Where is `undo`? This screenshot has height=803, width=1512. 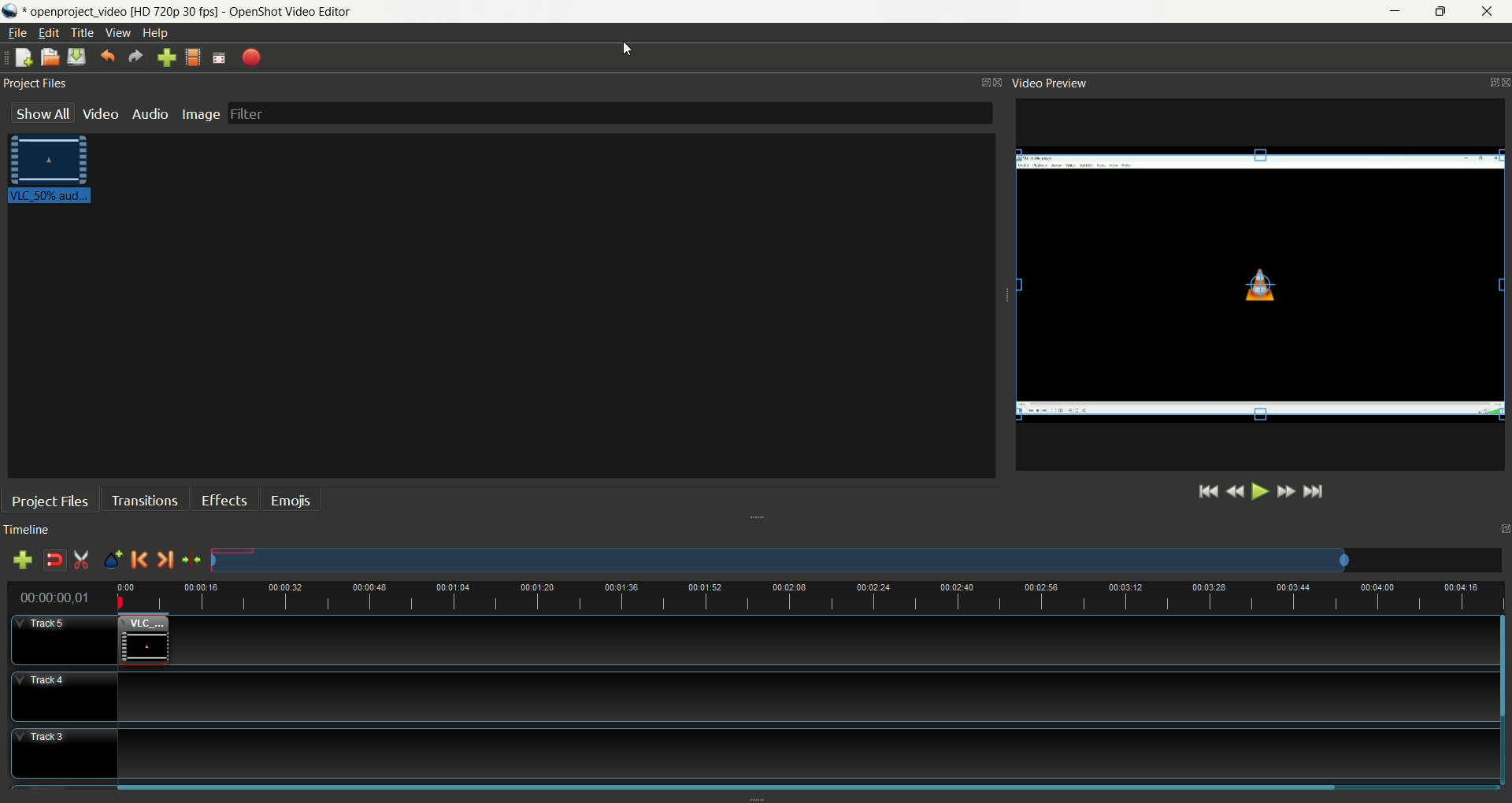 undo is located at coordinates (109, 56).